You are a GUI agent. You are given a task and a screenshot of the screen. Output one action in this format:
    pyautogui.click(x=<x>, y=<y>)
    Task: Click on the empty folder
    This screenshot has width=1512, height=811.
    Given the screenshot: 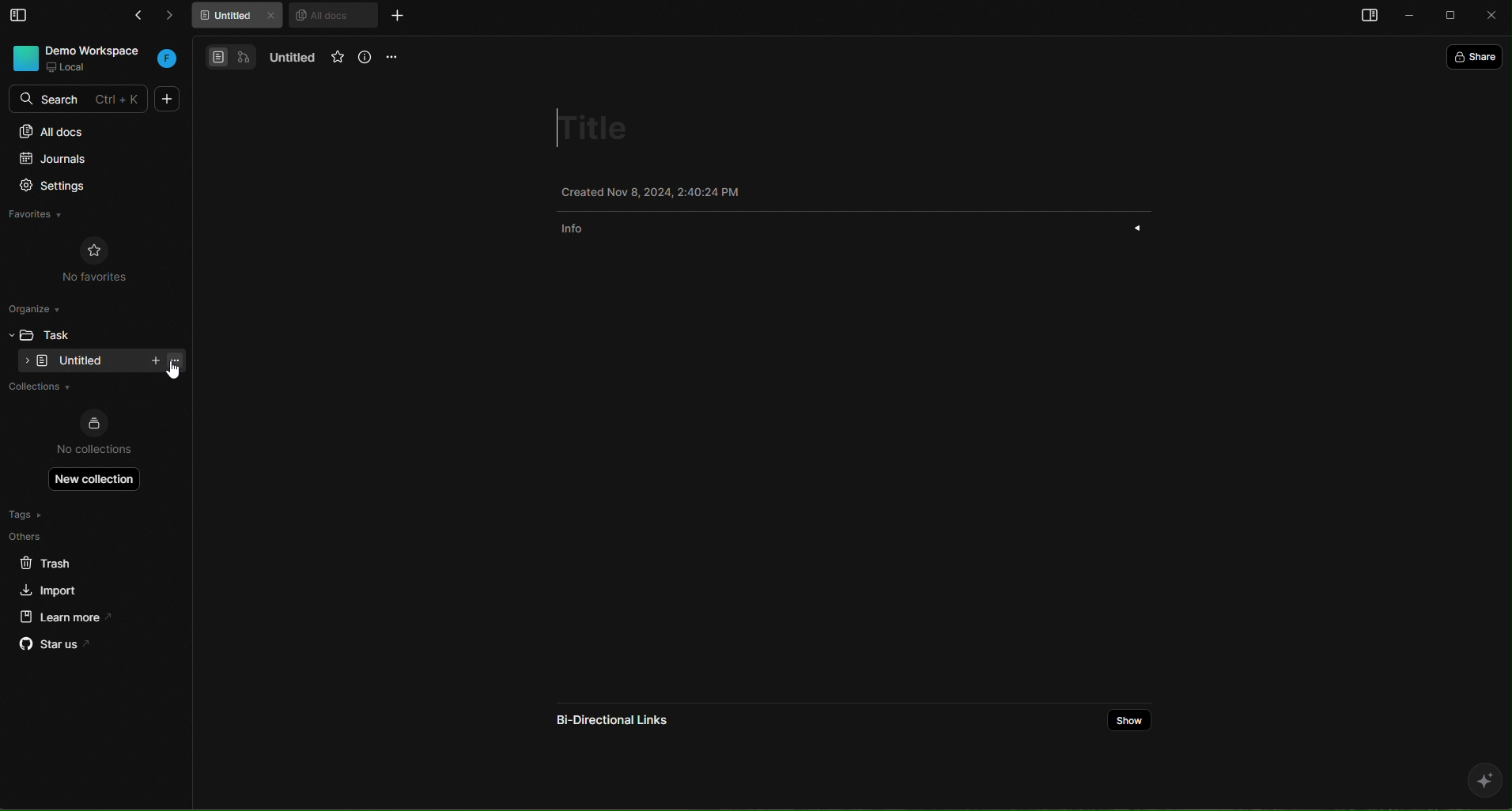 What is the action you would take?
    pyautogui.click(x=81, y=362)
    